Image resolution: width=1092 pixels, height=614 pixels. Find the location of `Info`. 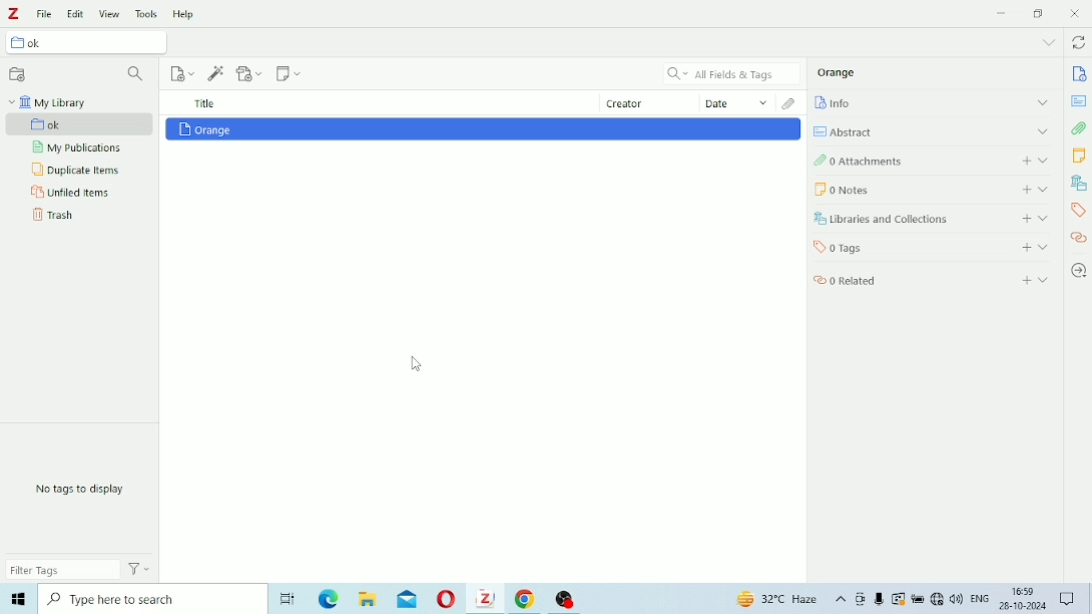

Info is located at coordinates (1080, 74).